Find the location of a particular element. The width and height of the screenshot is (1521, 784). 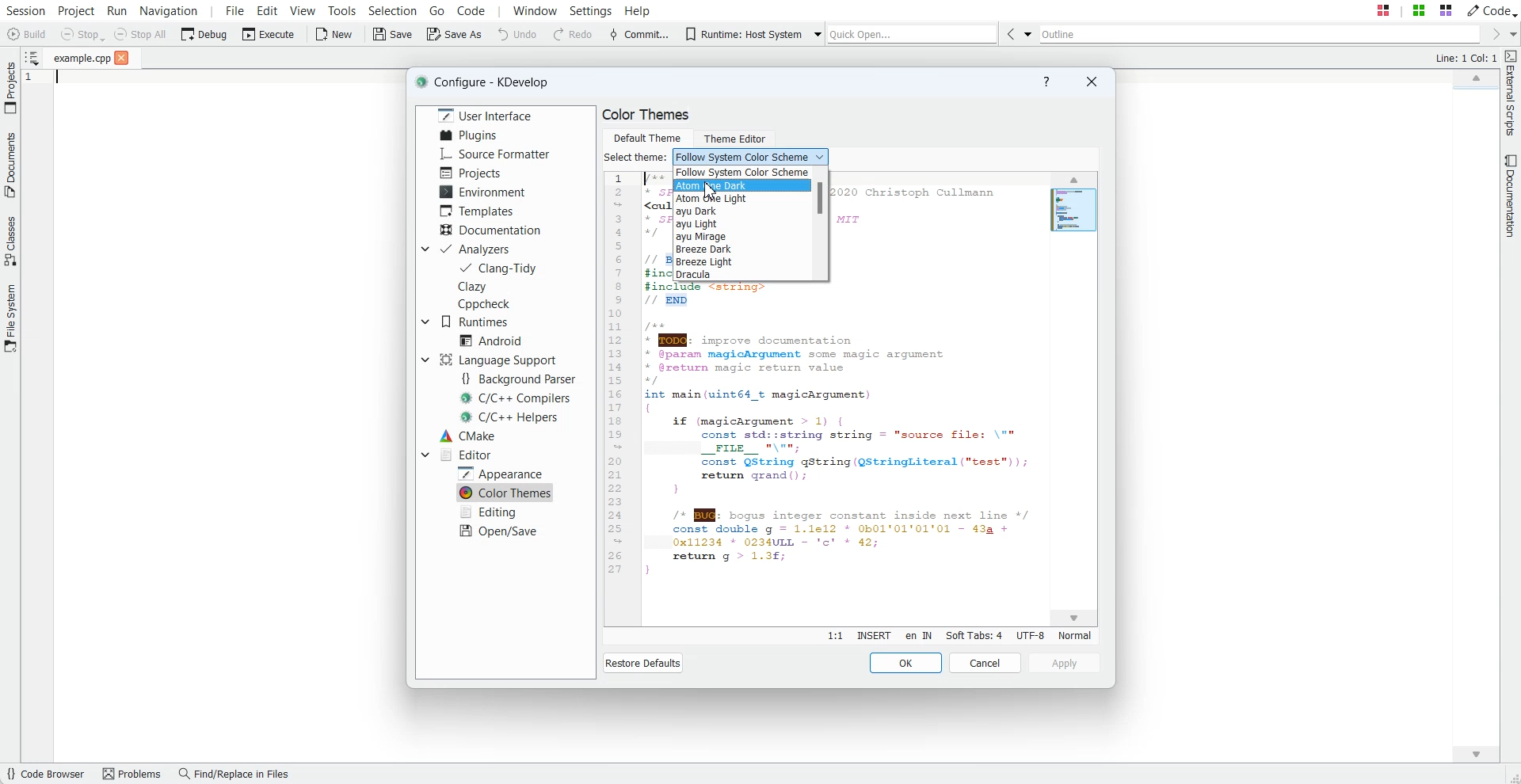

Cursor is located at coordinates (711, 190).